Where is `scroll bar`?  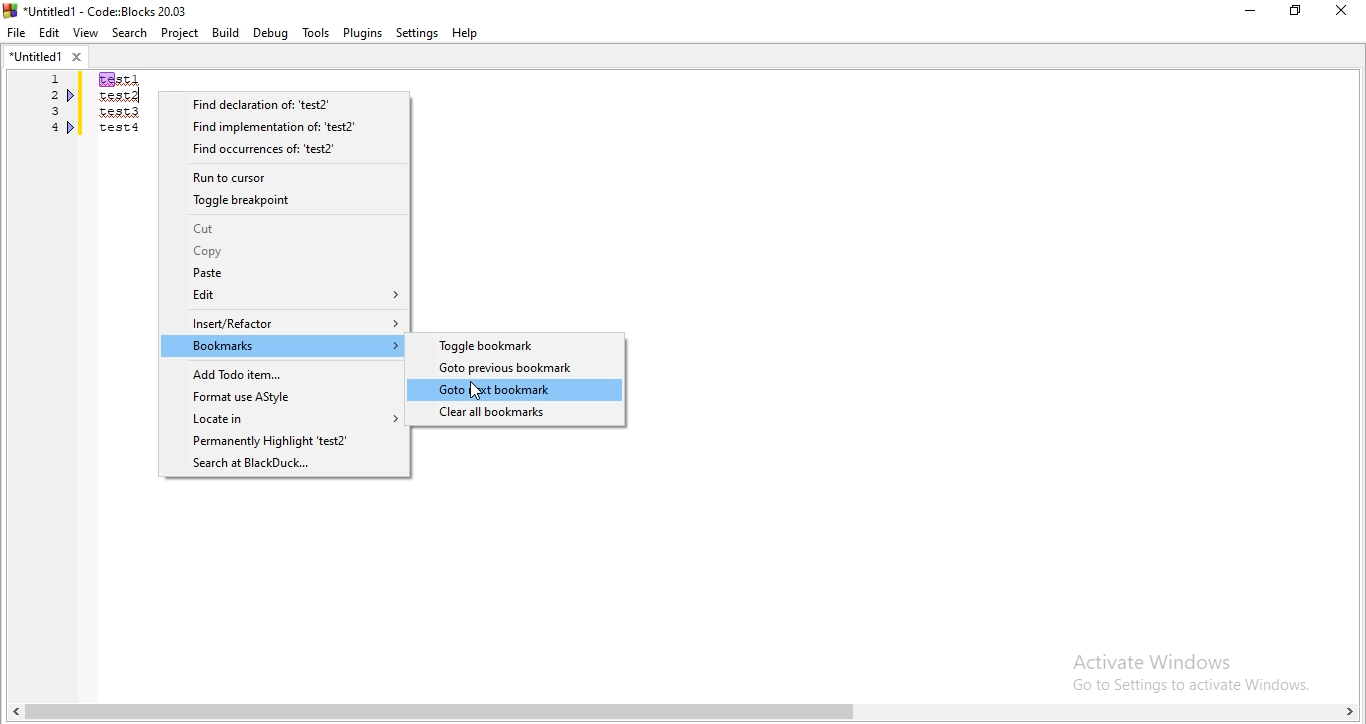
scroll bar is located at coordinates (683, 711).